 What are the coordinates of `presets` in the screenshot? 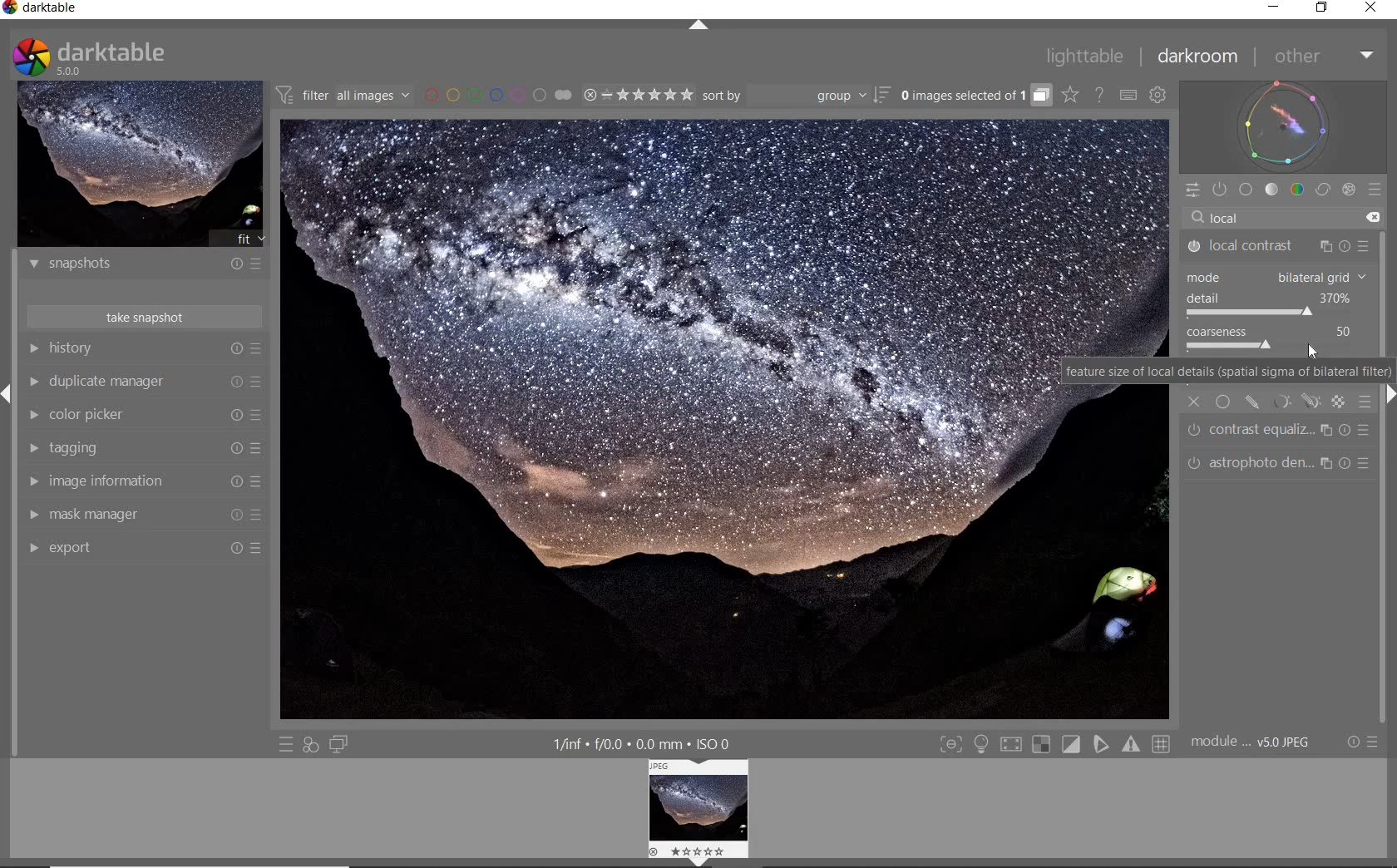 It's located at (1360, 240).